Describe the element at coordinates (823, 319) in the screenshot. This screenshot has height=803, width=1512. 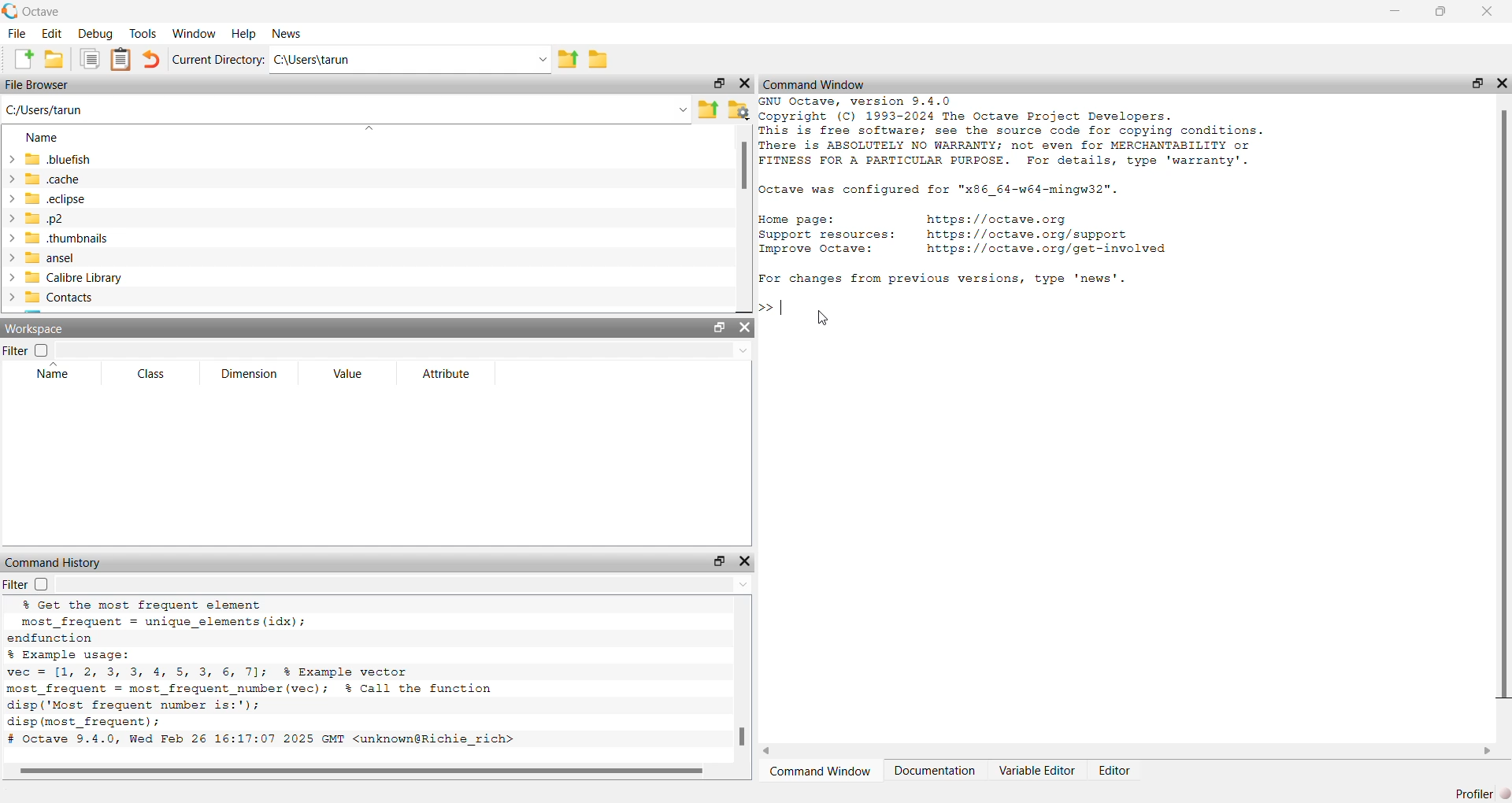
I see `cursor` at that location.